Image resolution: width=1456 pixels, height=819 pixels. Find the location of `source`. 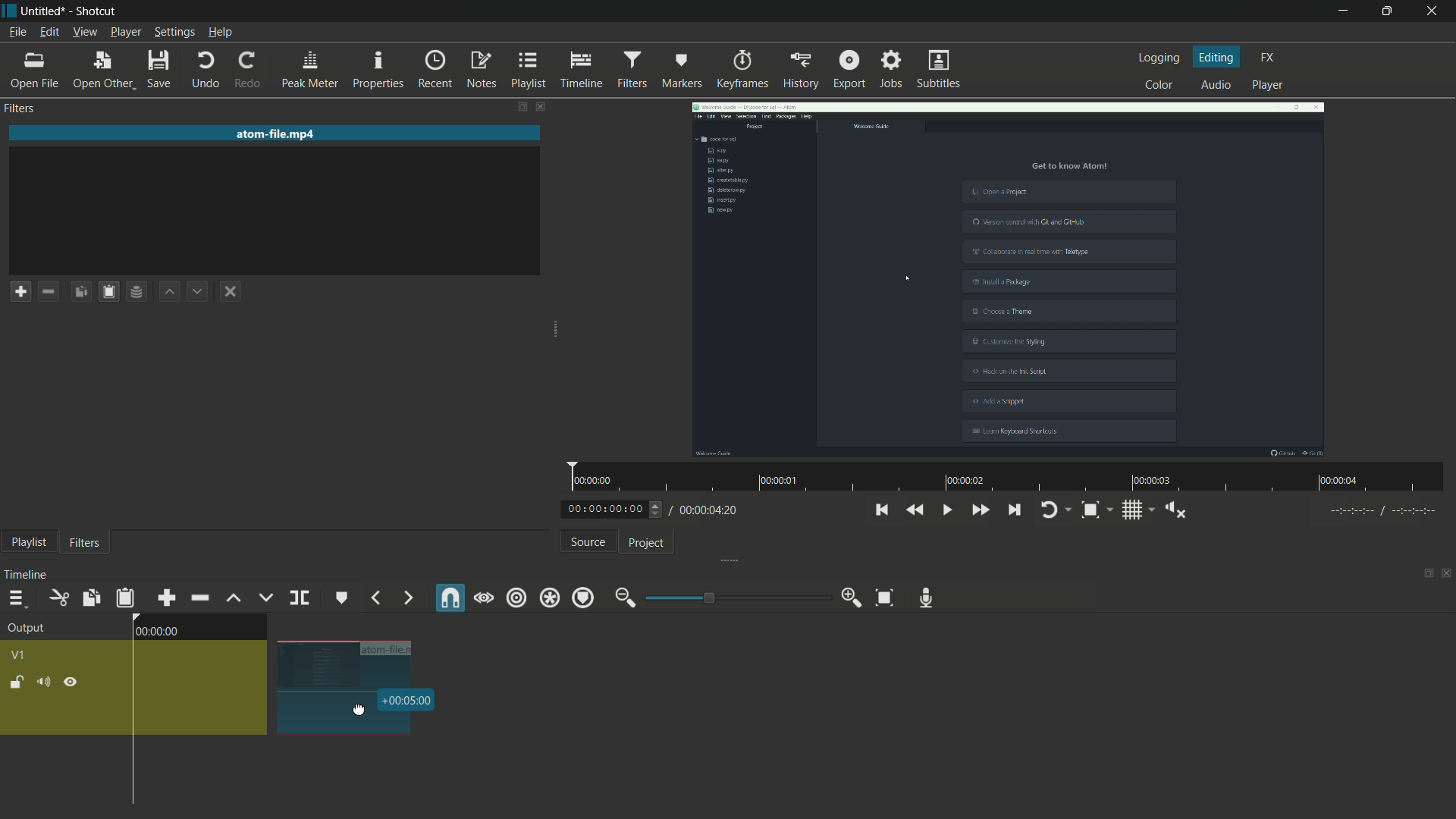

source is located at coordinates (585, 541).